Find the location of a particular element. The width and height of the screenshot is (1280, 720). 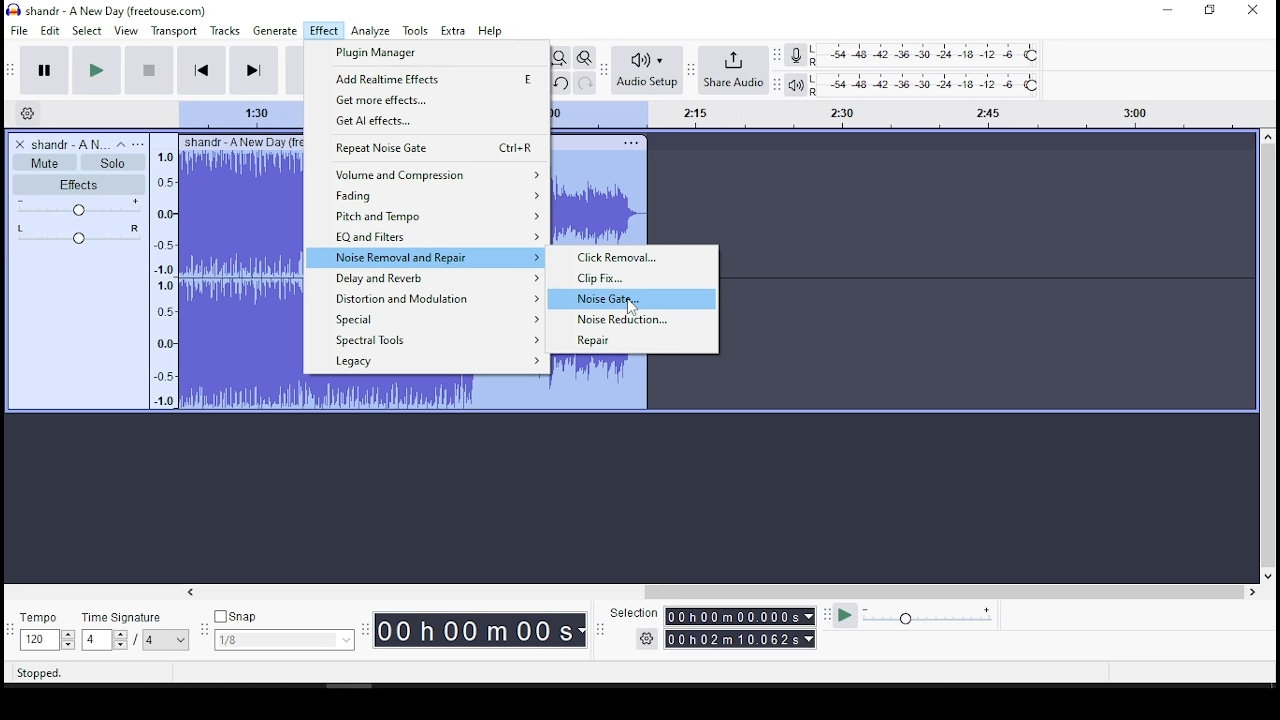

close window is located at coordinates (1255, 11).